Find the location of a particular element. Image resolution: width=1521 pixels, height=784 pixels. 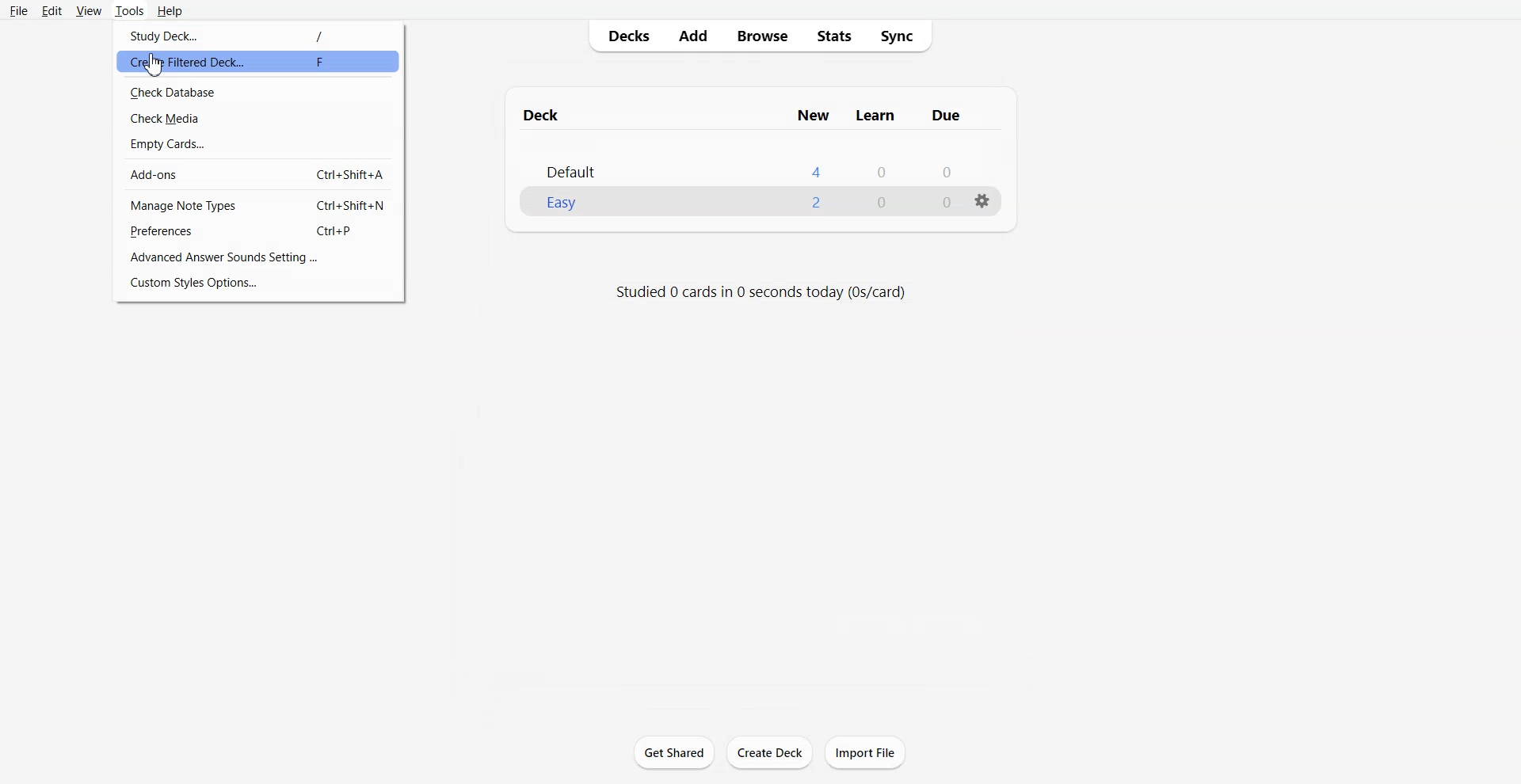

studied 0 cards in 0 seconds today (0s/card) is located at coordinates (760, 289).